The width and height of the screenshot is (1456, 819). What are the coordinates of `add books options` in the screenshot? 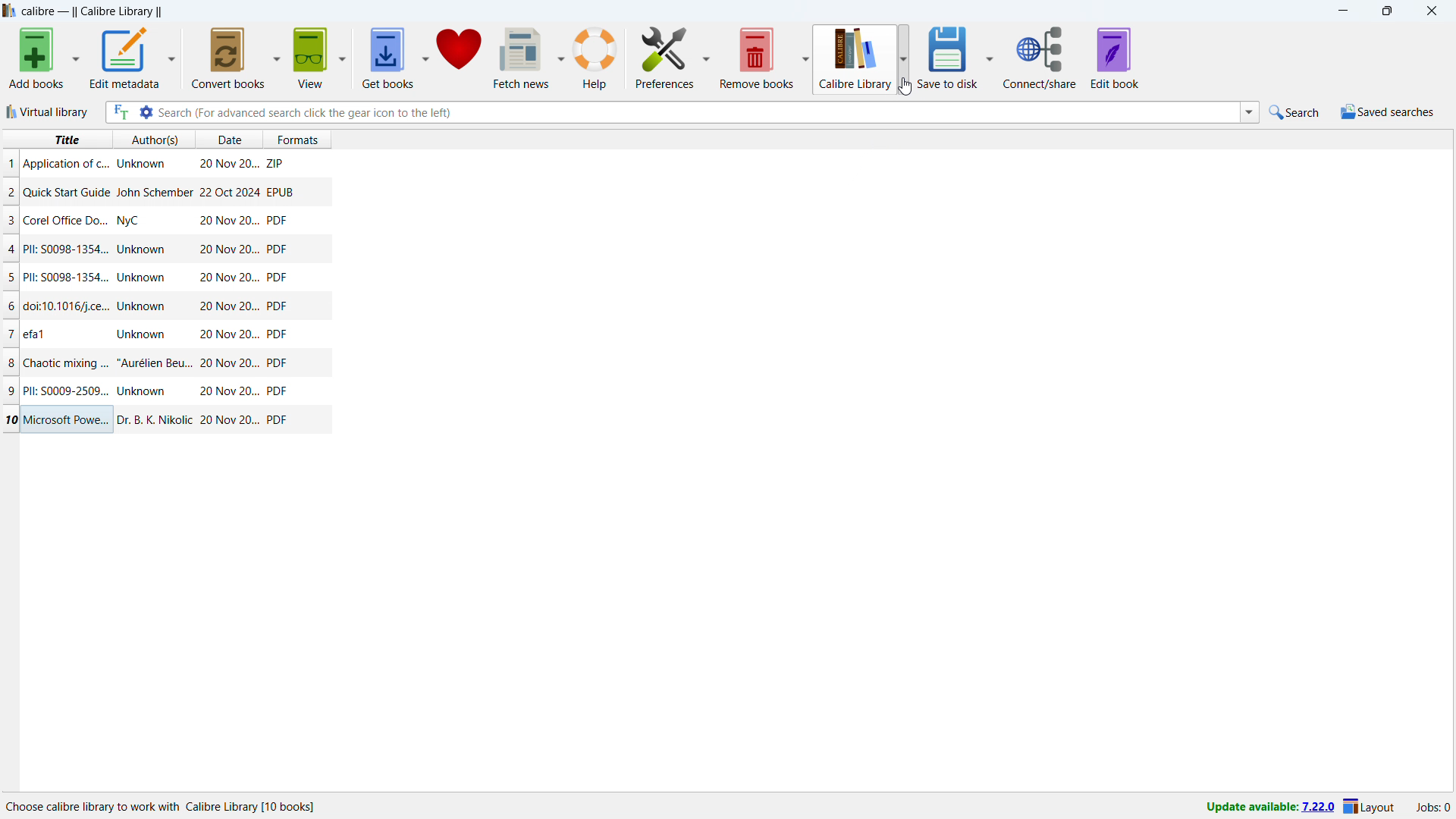 It's located at (76, 58).